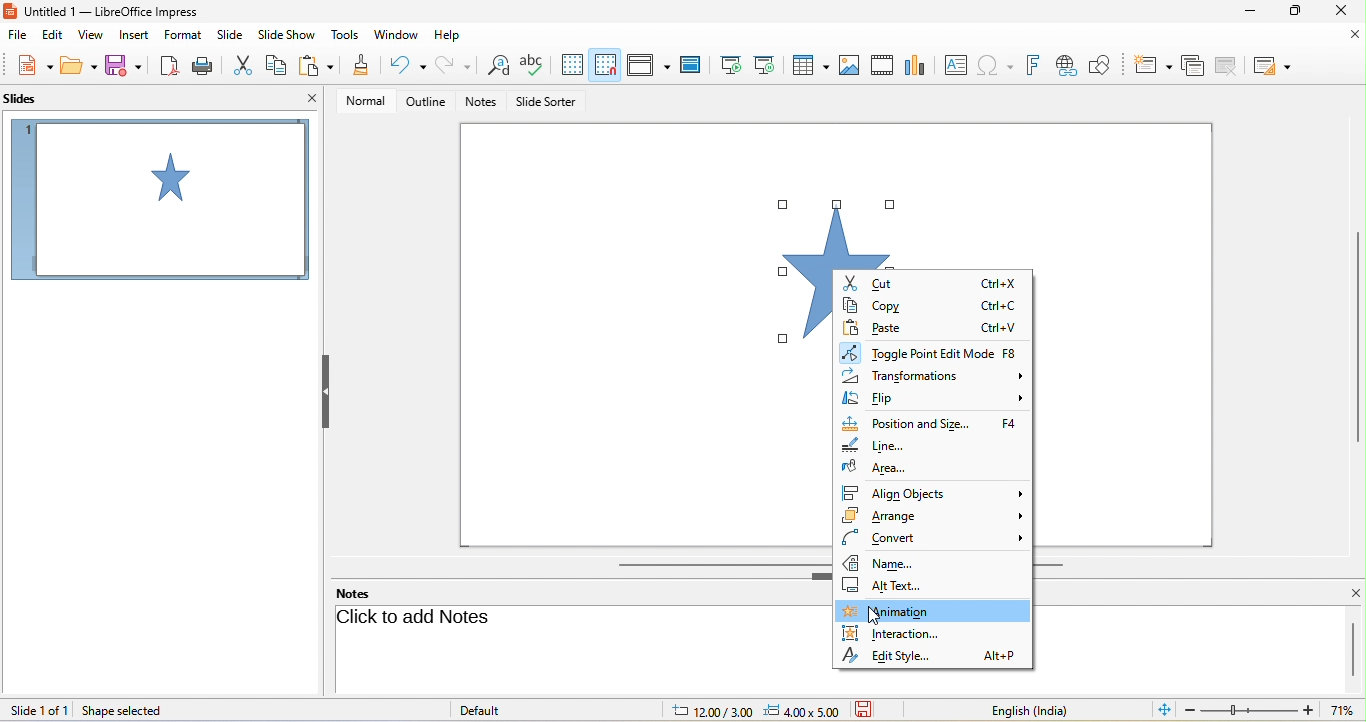  I want to click on align object, so click(931, 492).